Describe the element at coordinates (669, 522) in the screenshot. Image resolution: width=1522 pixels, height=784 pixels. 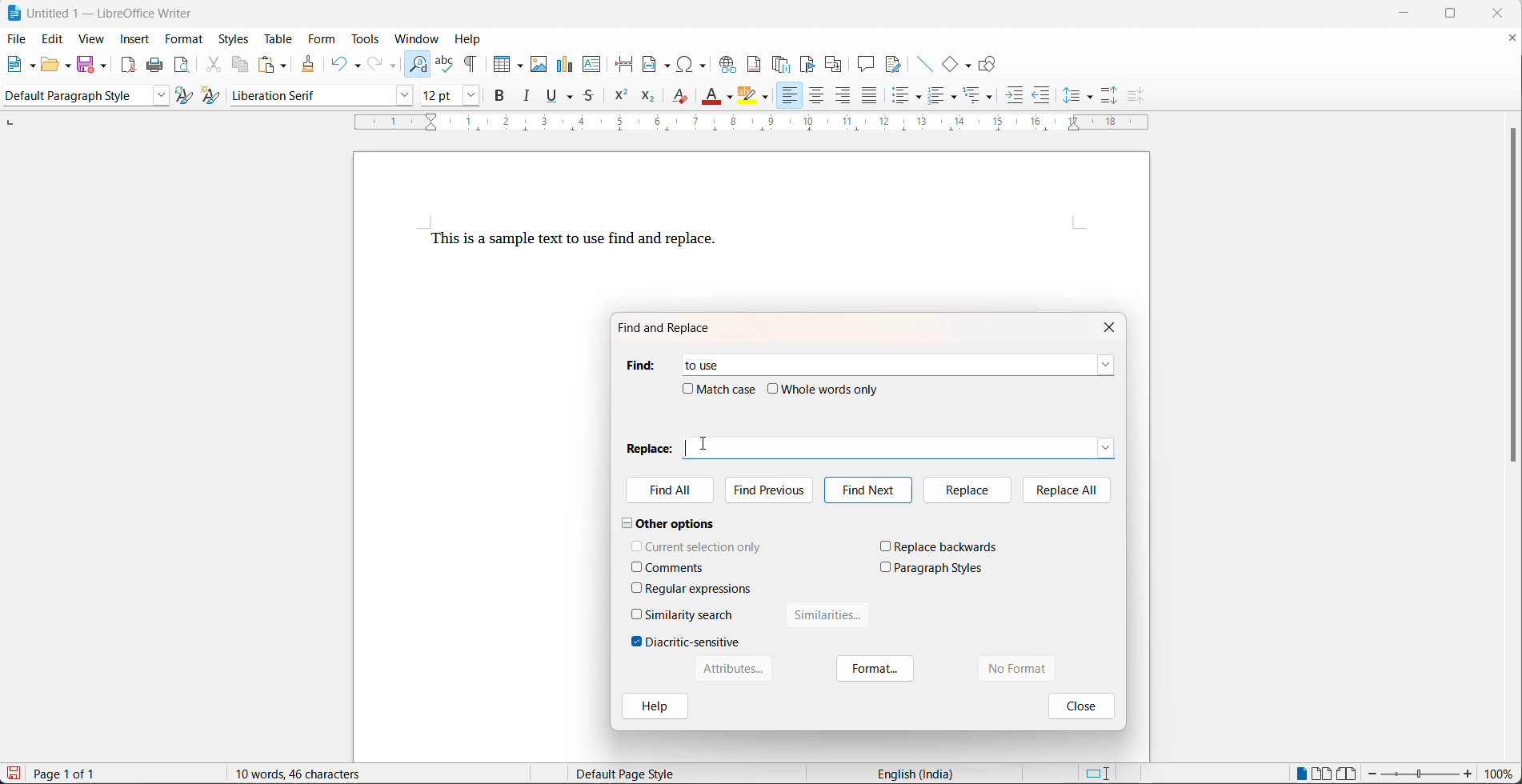
I see `other options` at that location.